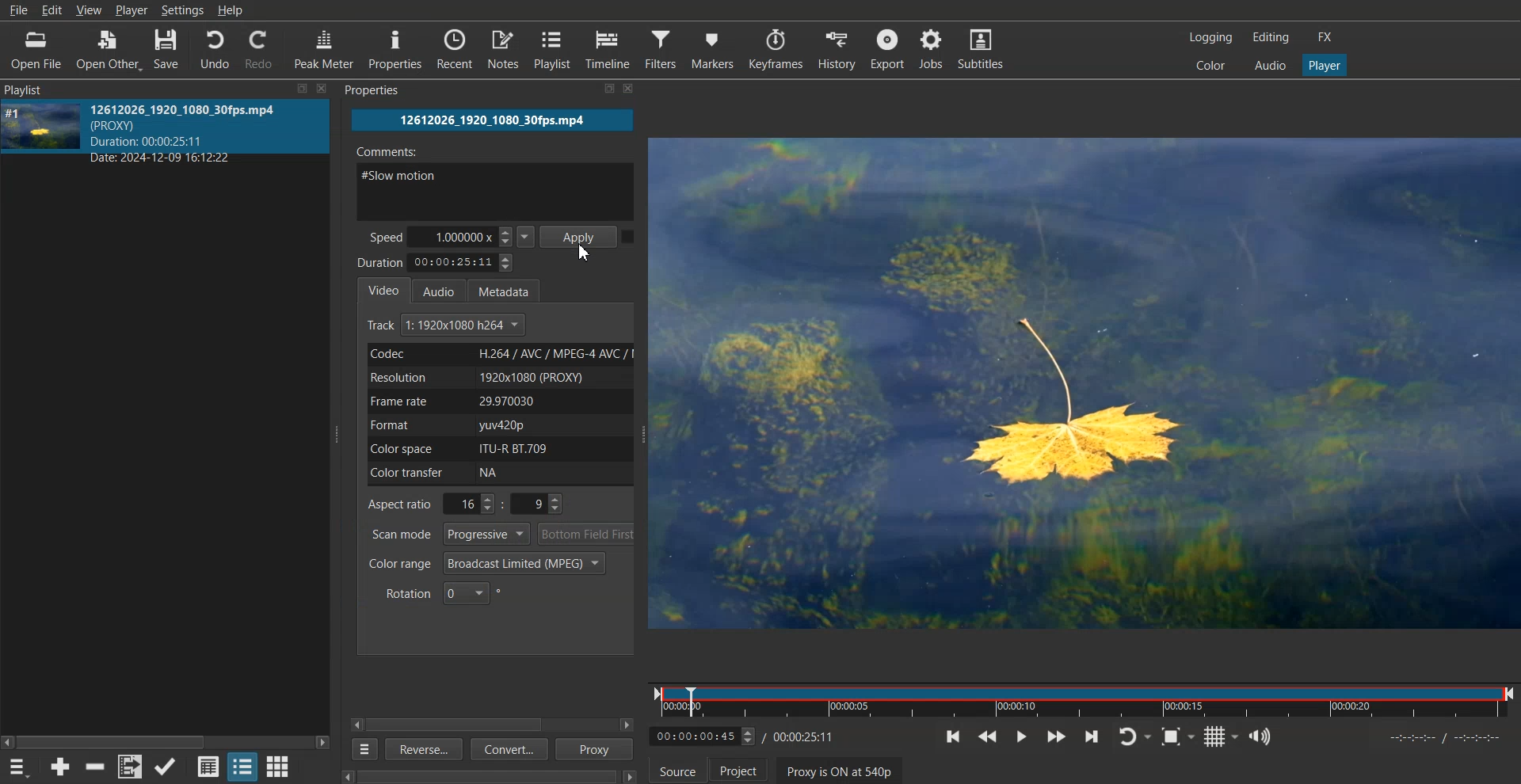 This screenshot has width=1521, height=784. I want to click on Settings, so click(182, 10).